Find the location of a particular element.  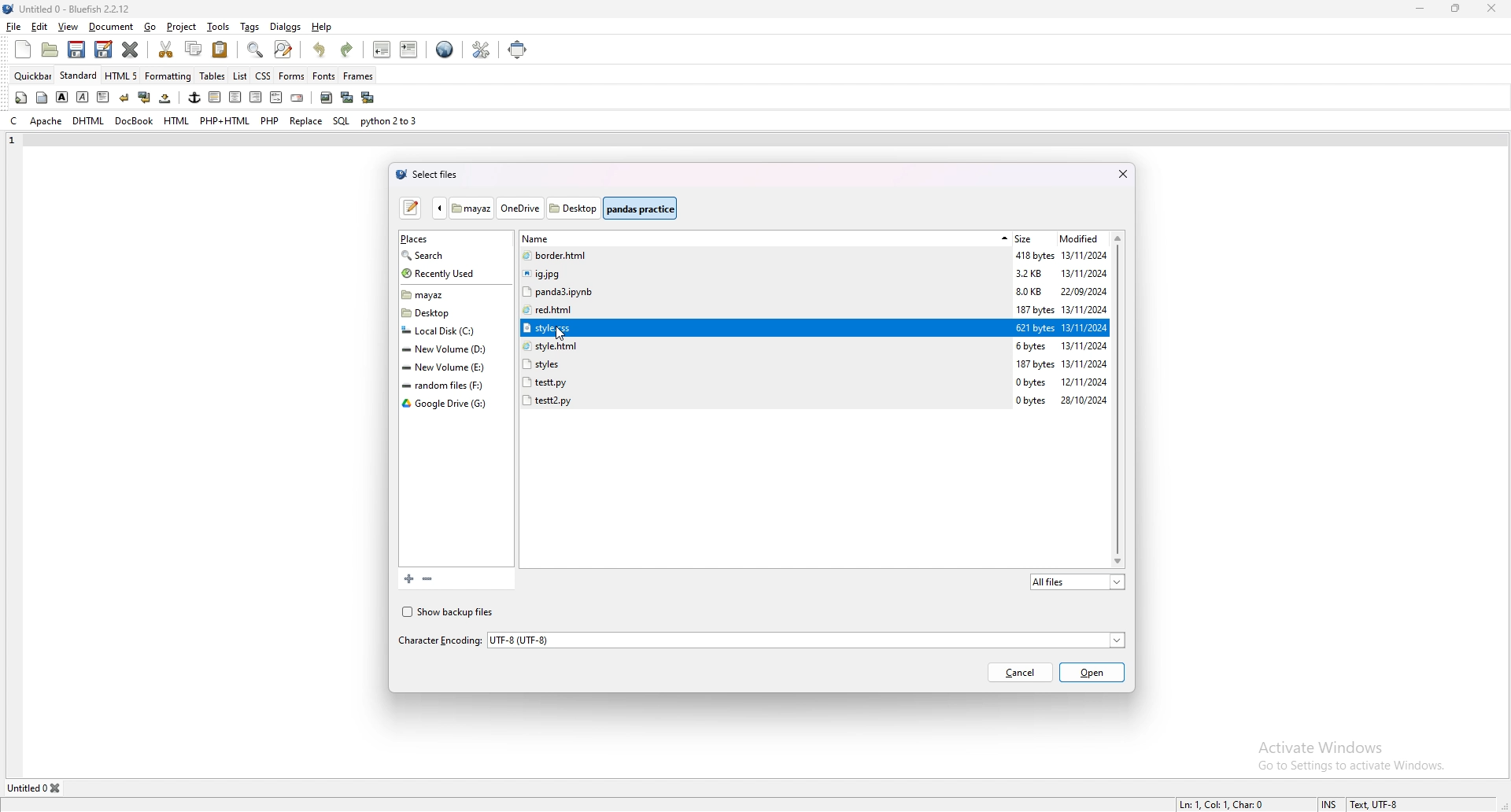

close is located at coordinates (1122, 175).